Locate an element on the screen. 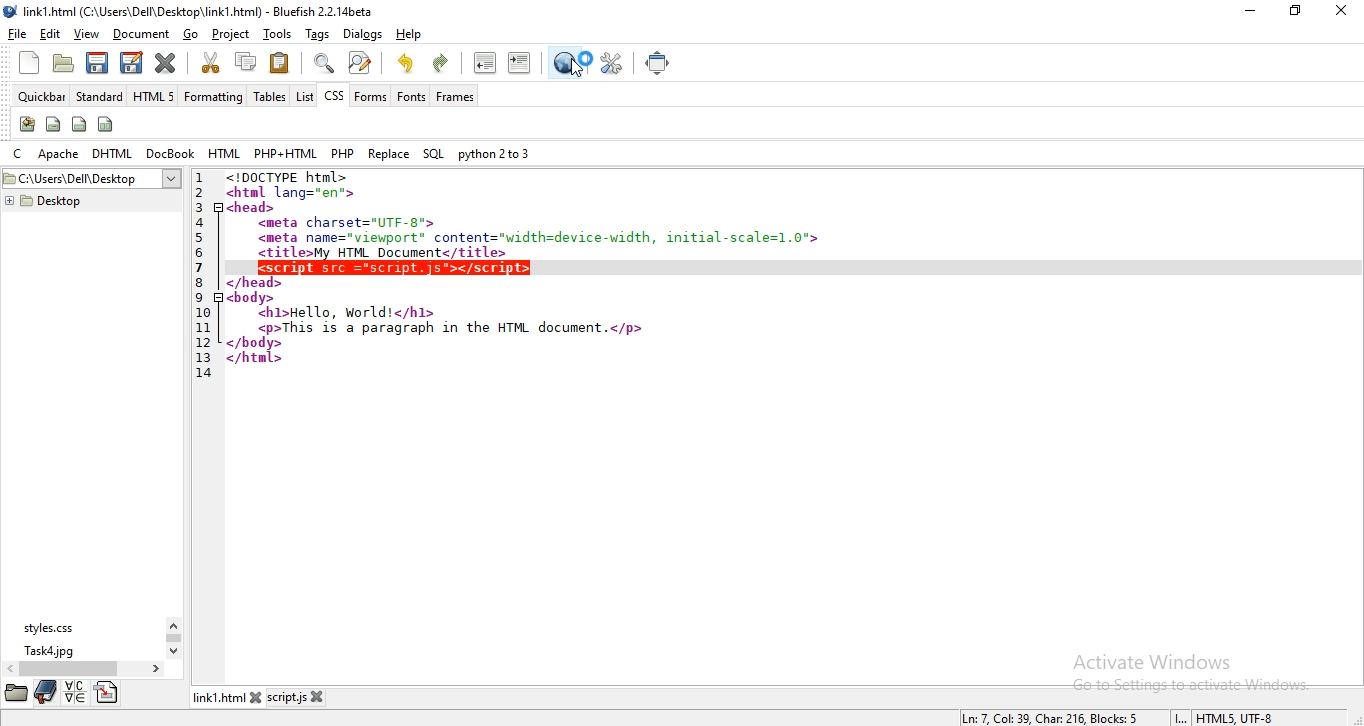 The height and width of the screenshot is (726, 1364). columns is located at coordinates (104, 125).